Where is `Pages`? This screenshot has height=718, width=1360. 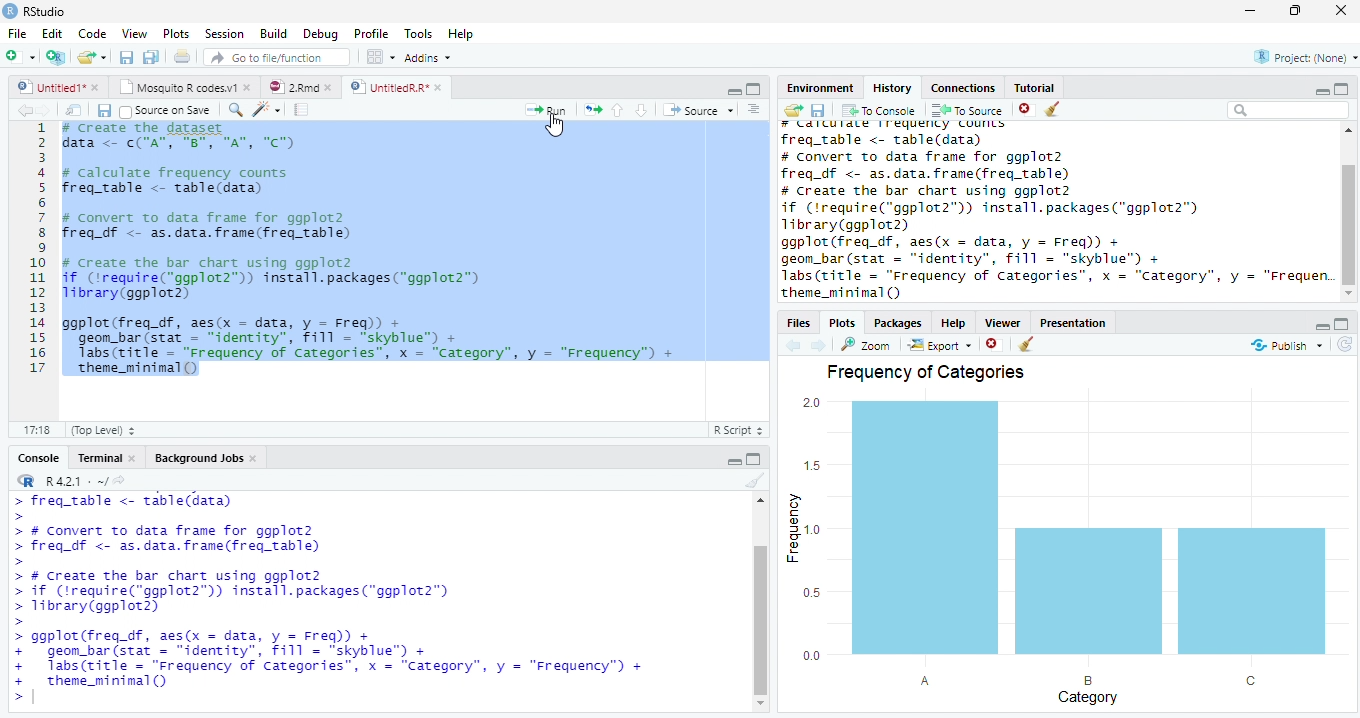
Pages is located at coordinates (593, 110).